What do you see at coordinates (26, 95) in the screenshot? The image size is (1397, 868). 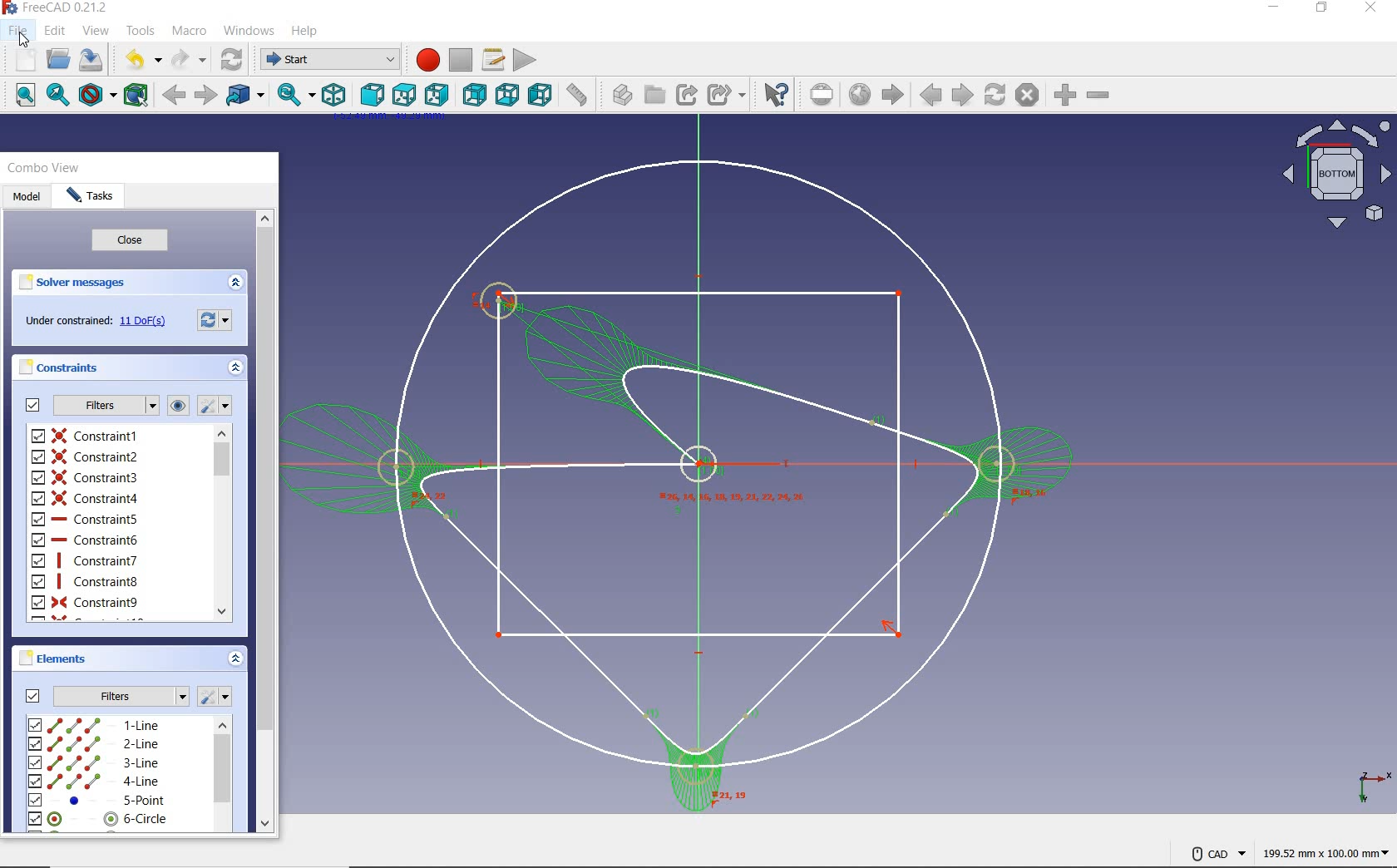 I see `fit all` at bounding box center [26, 95].